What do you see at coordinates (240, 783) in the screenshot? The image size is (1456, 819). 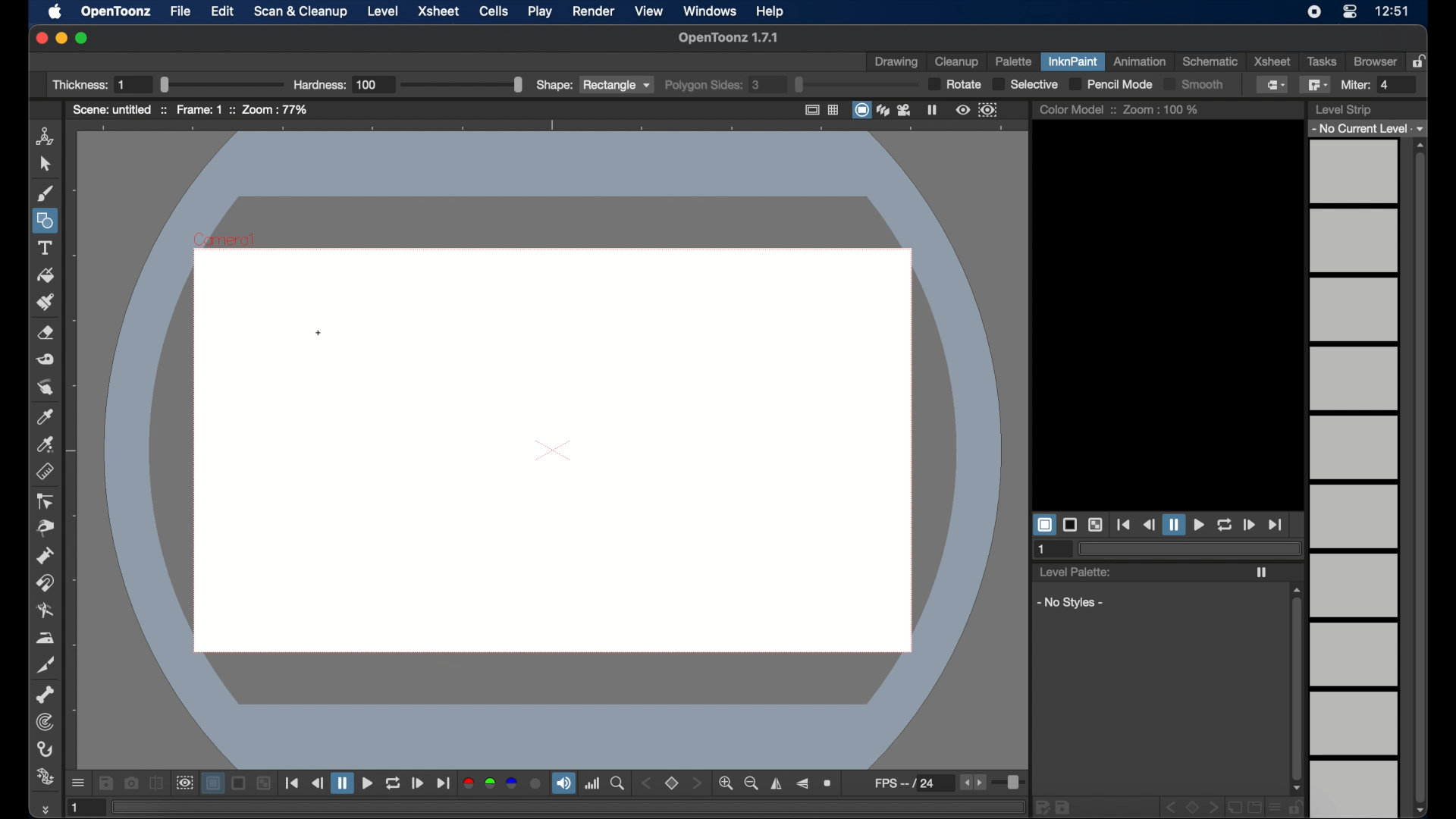 I see `black background` at bounding box center [240, 783].